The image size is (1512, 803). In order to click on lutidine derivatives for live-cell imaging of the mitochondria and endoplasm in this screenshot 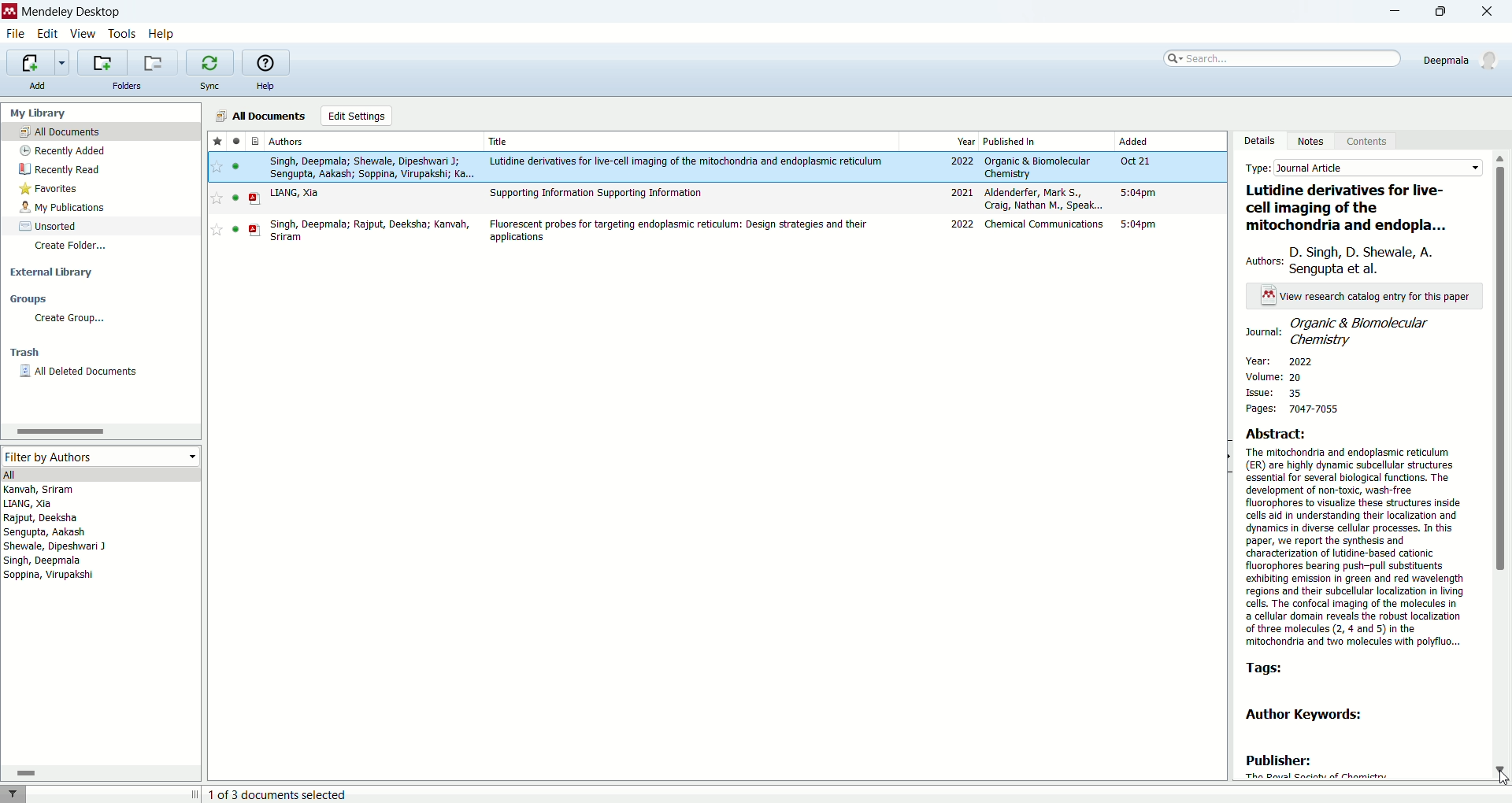, I will do `click(1358, 206)`.